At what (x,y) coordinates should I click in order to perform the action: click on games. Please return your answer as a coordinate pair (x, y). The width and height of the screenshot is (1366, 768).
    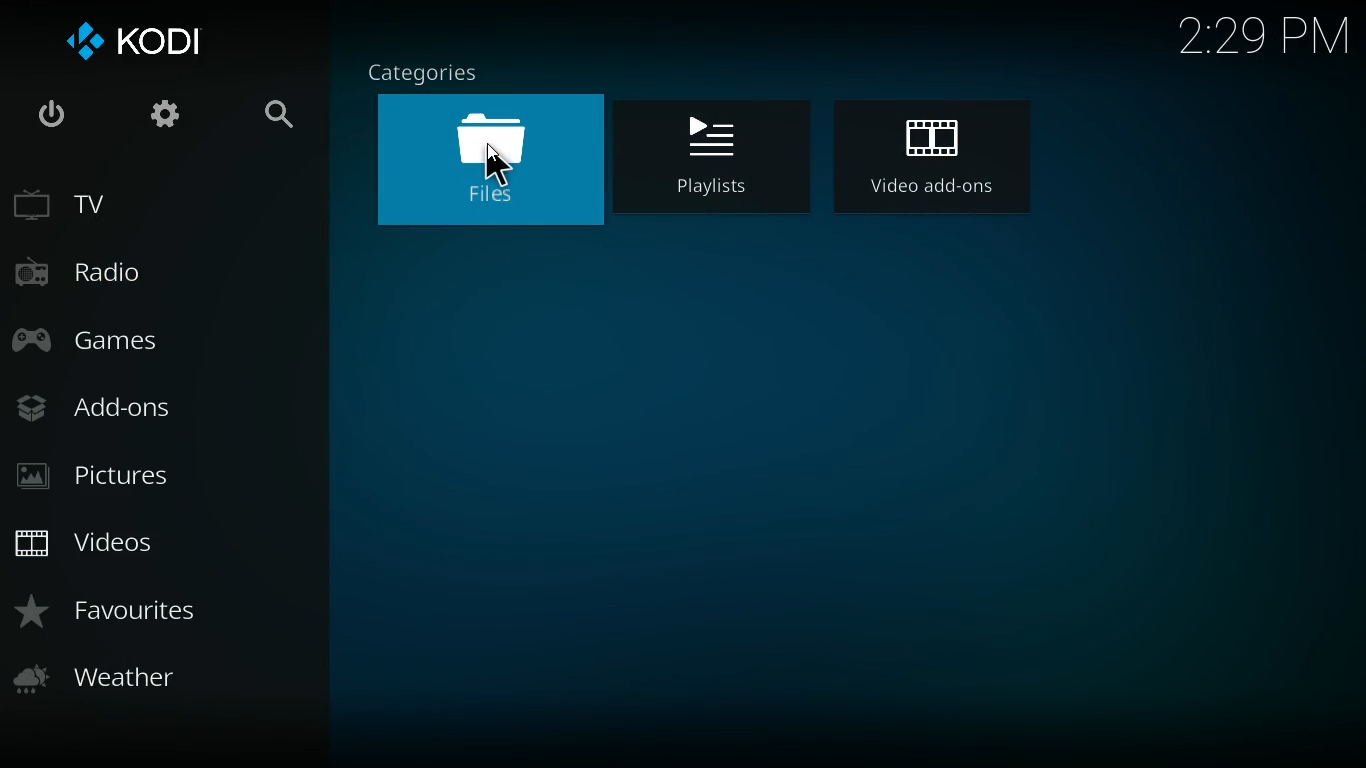
    Looking at the image, I should click on (155, 338).